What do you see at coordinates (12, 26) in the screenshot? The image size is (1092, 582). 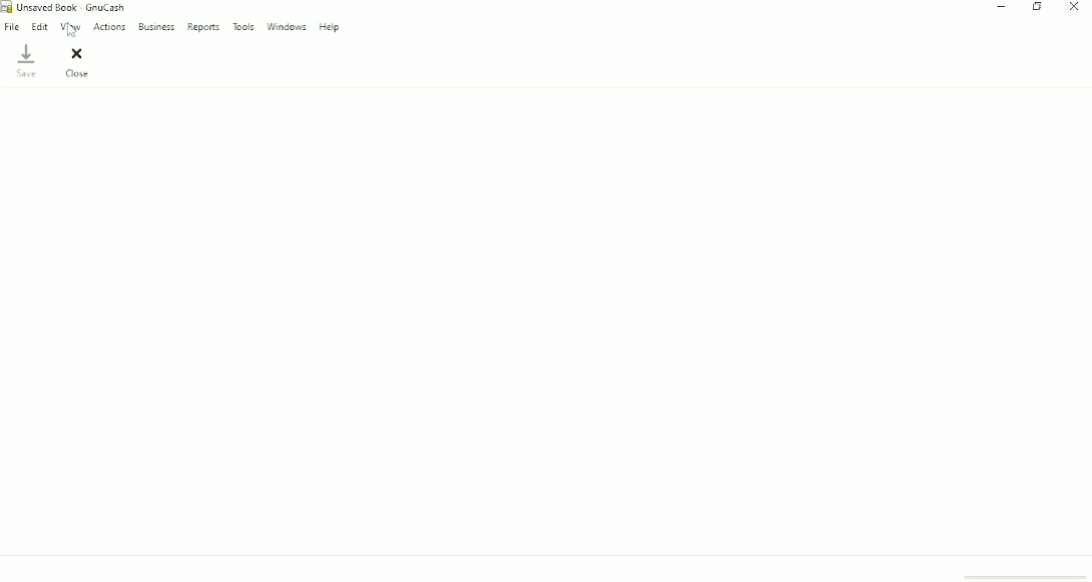 I see `File` at bounding box center [12, 26].